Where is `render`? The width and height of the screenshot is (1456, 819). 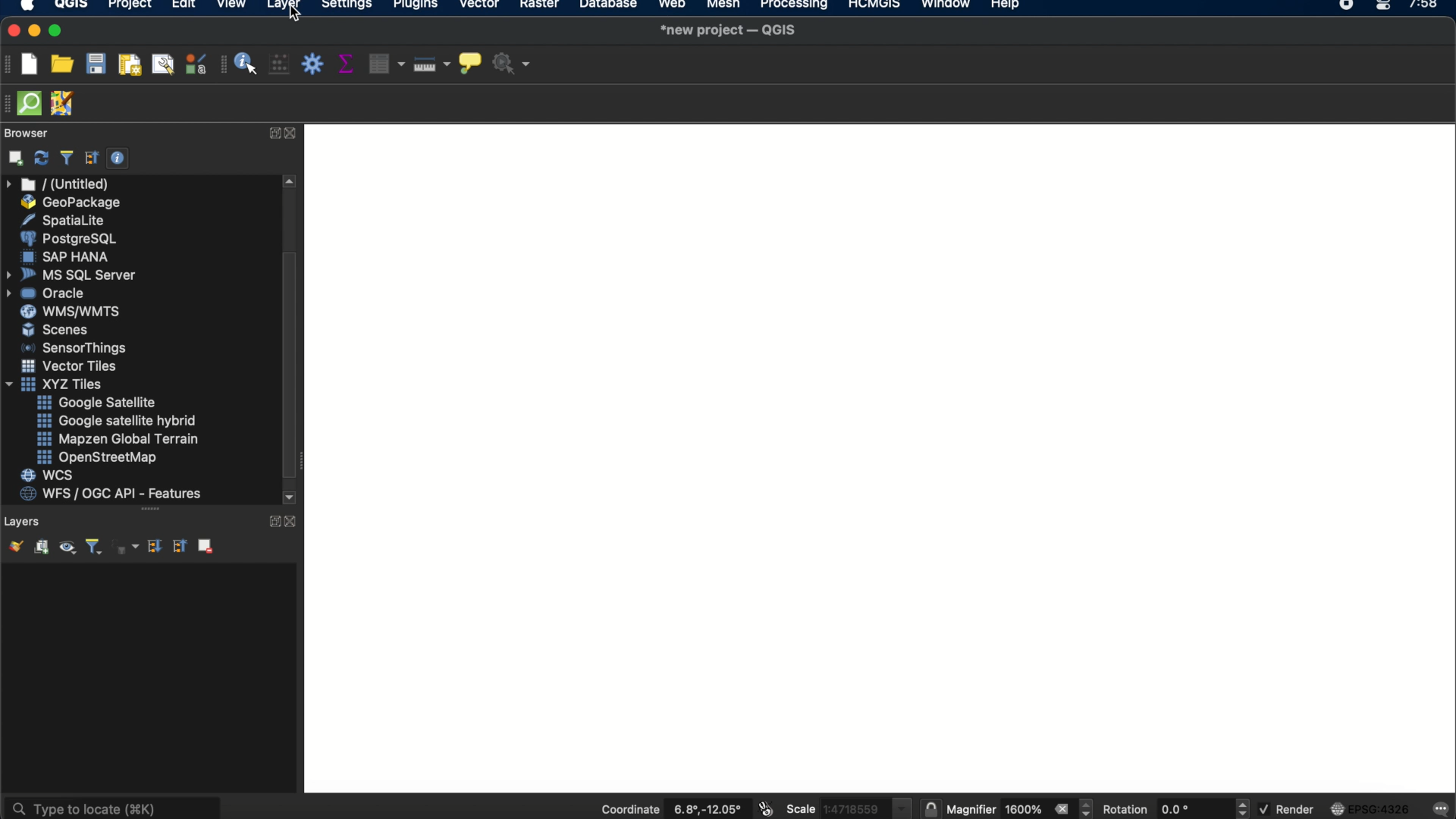
render is located at coordinates (1288, 810).